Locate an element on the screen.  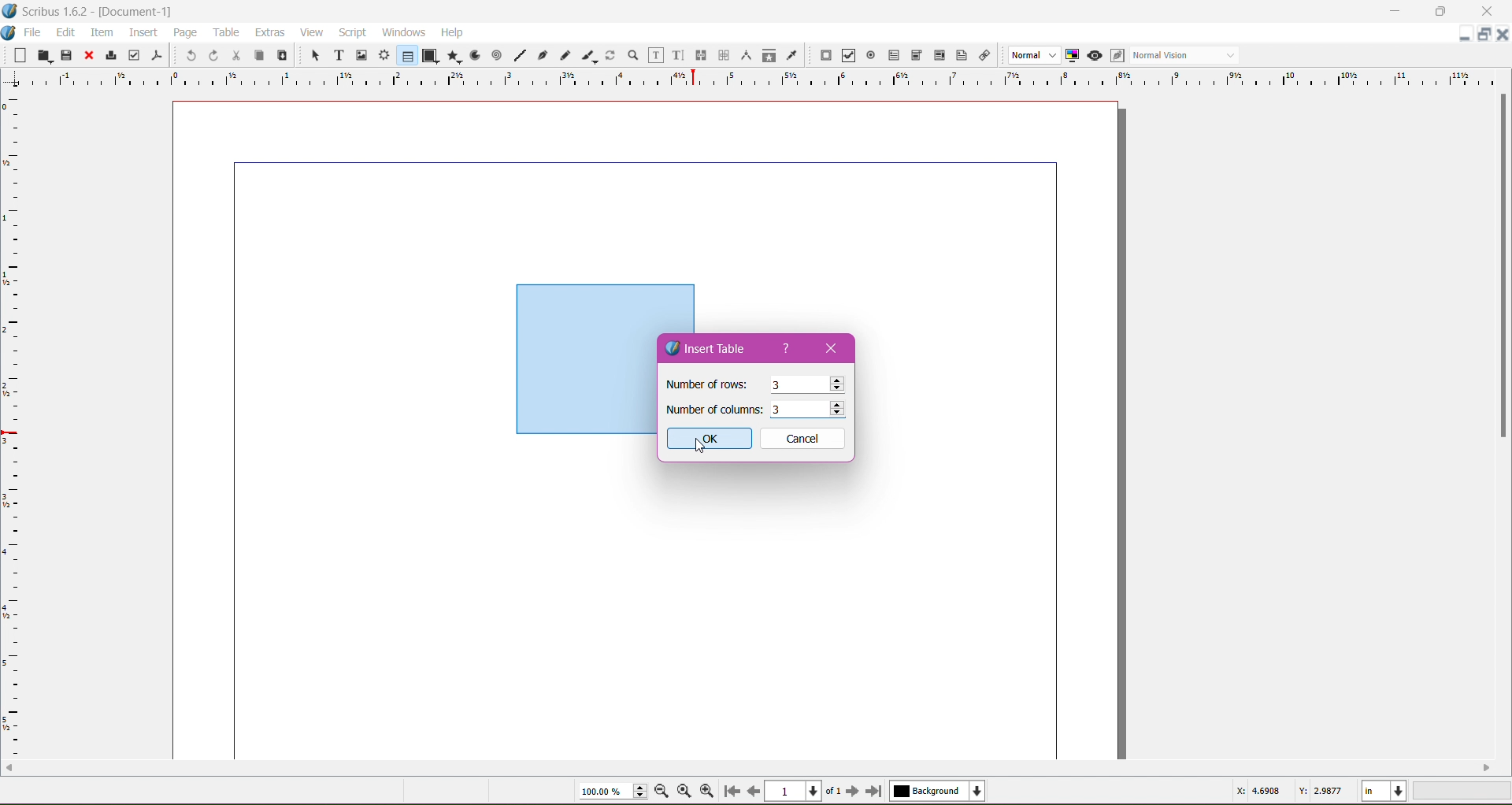
Help is located at coordinates (452, 33).